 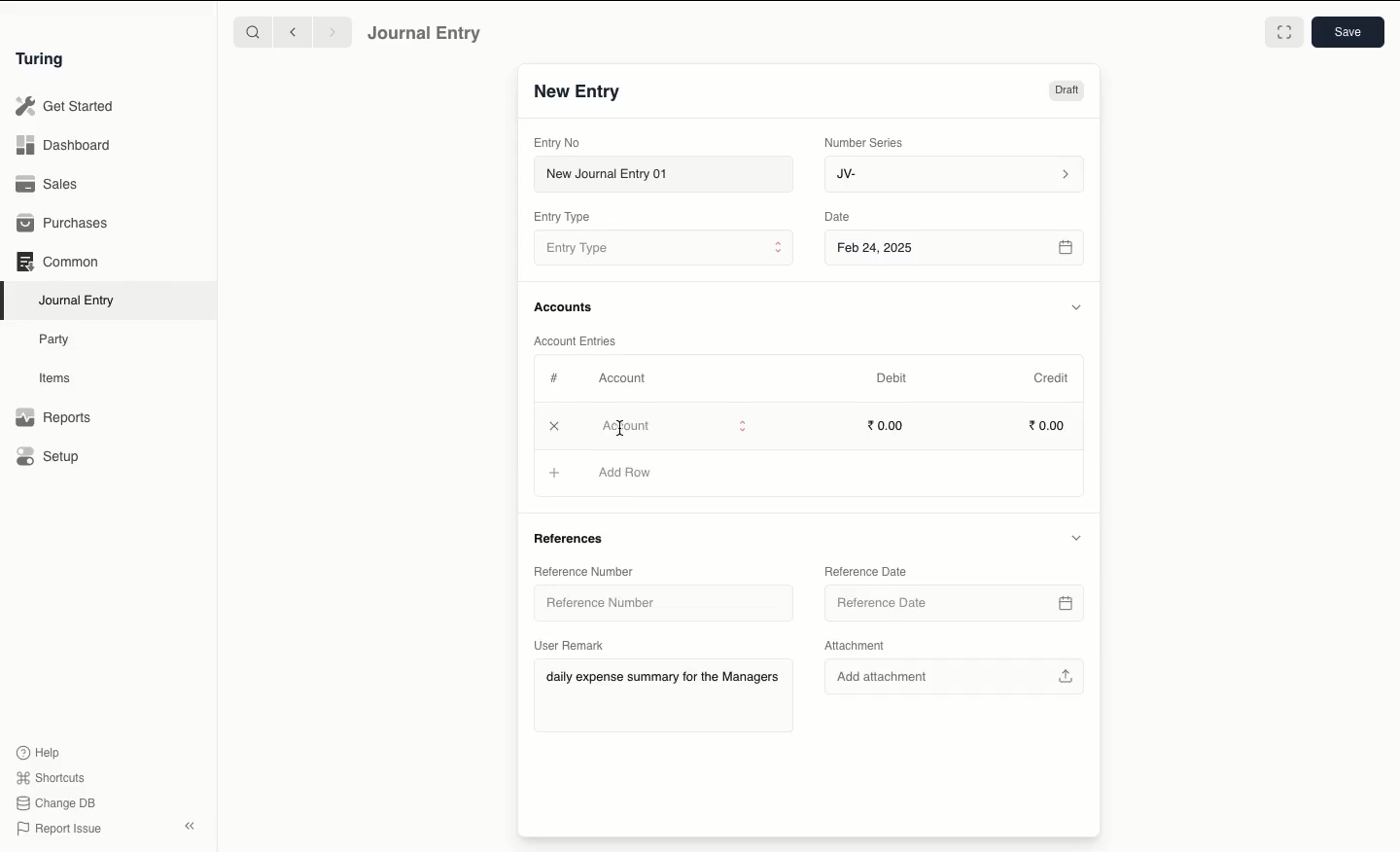 I want to click on 0.00, so click(x=887, y=424).